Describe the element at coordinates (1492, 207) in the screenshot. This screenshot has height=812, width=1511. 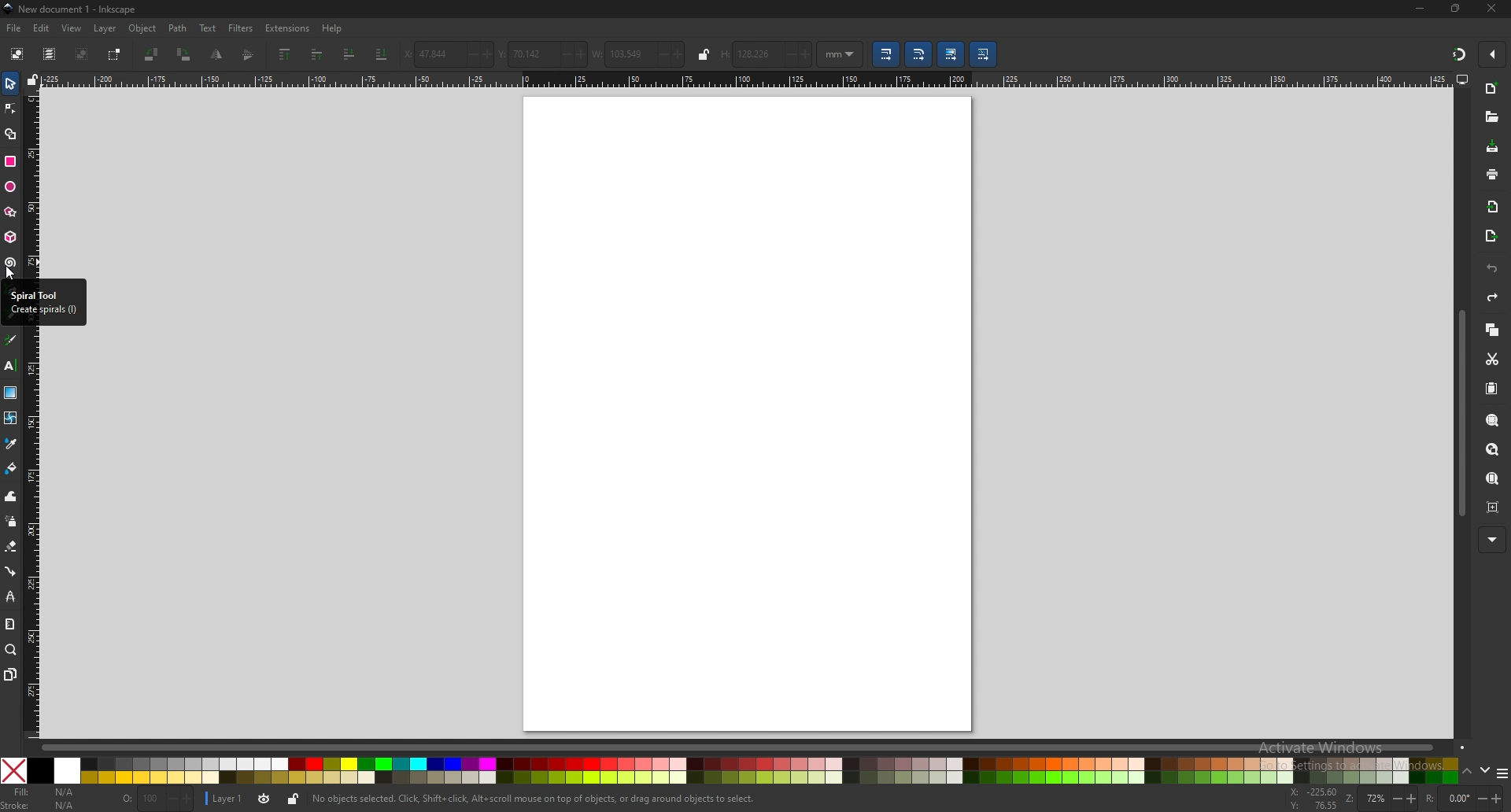
I see `import` at that location.